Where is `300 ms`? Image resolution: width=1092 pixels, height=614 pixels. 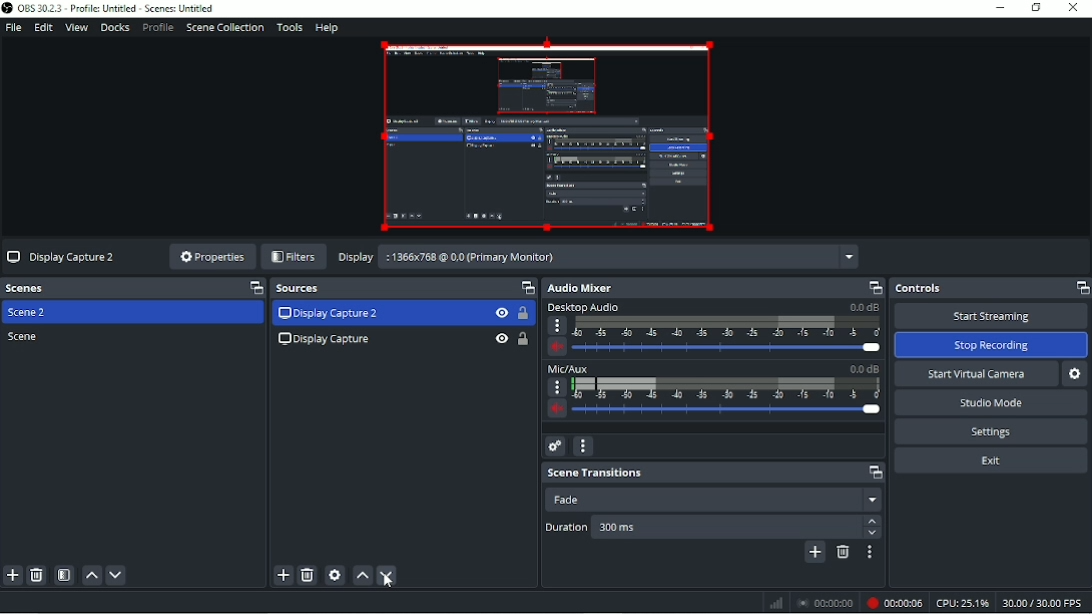
300 ms is located at coordinates (662, 529).